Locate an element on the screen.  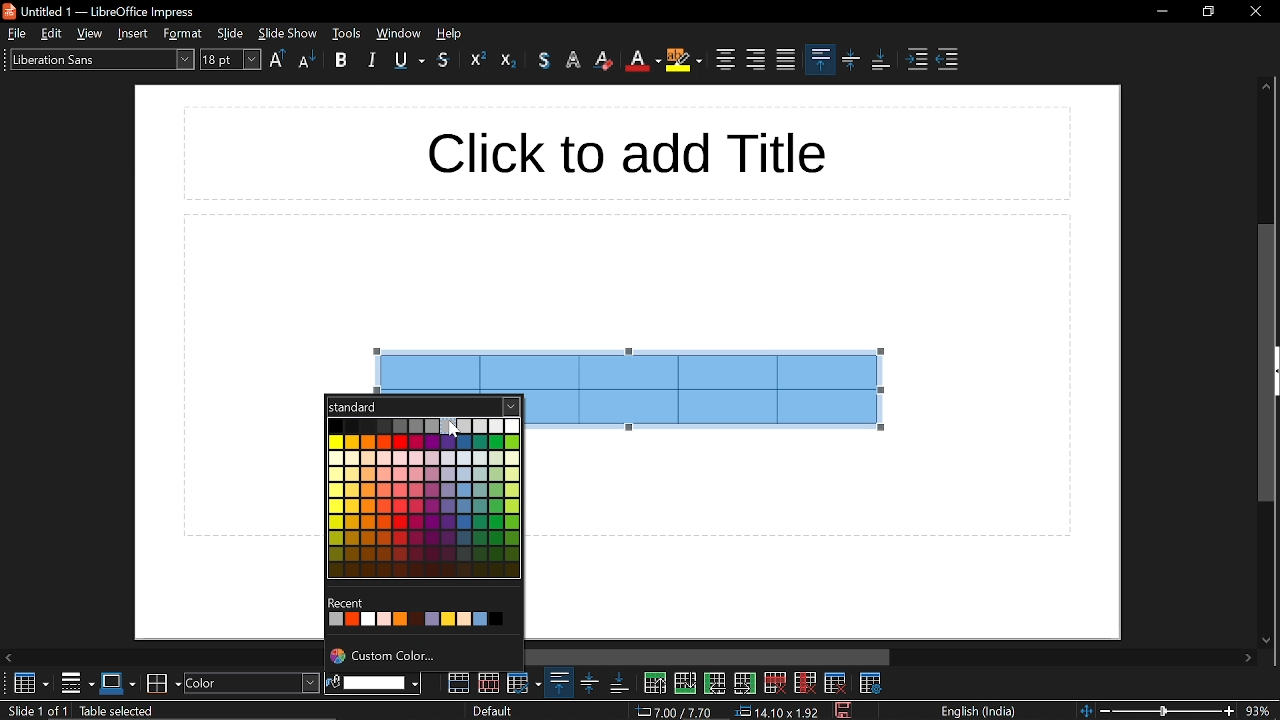
increase indent is located at coordinates (919, 59).